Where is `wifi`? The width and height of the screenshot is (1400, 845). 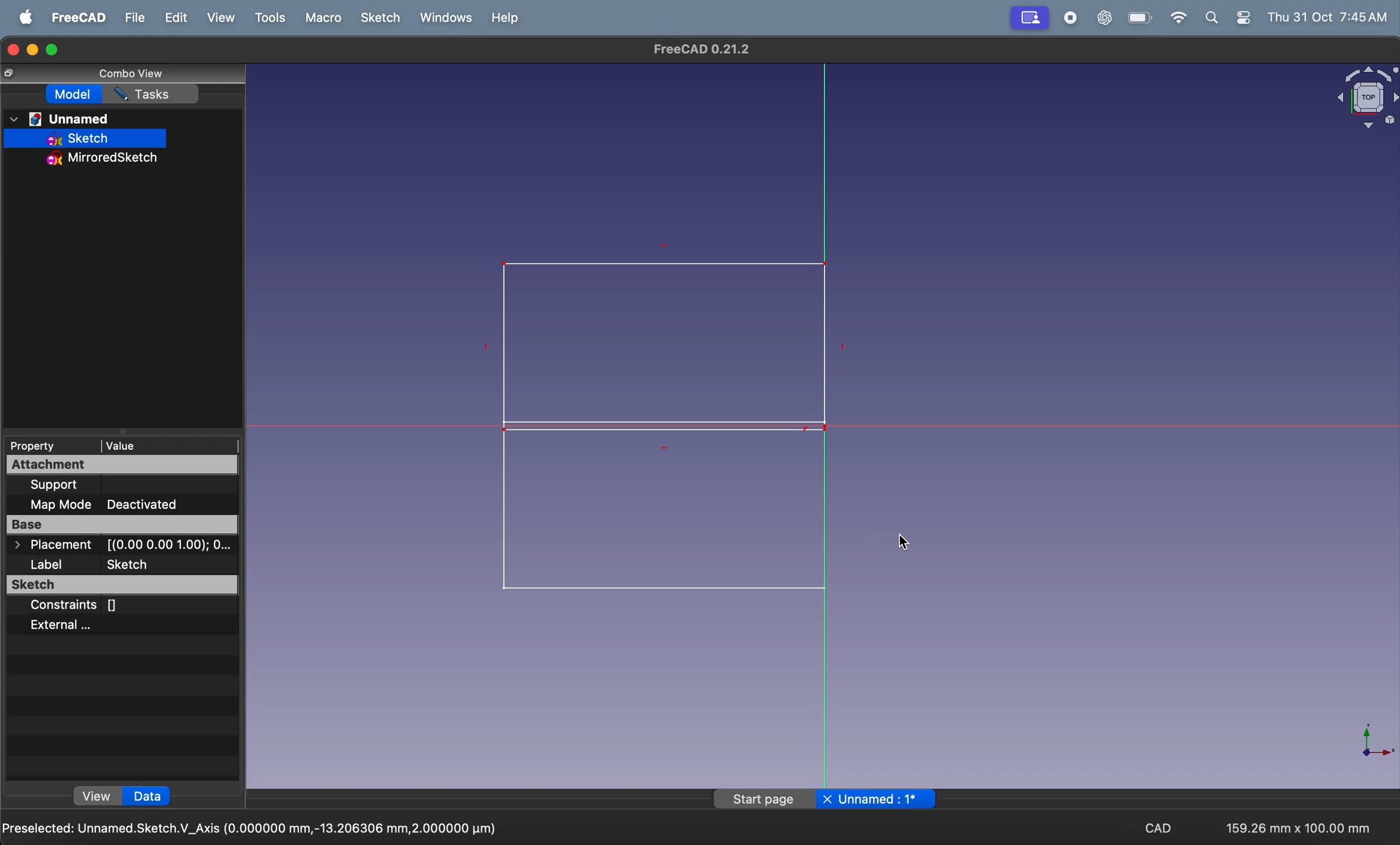
wifi is located at coordinates (1176, 18).